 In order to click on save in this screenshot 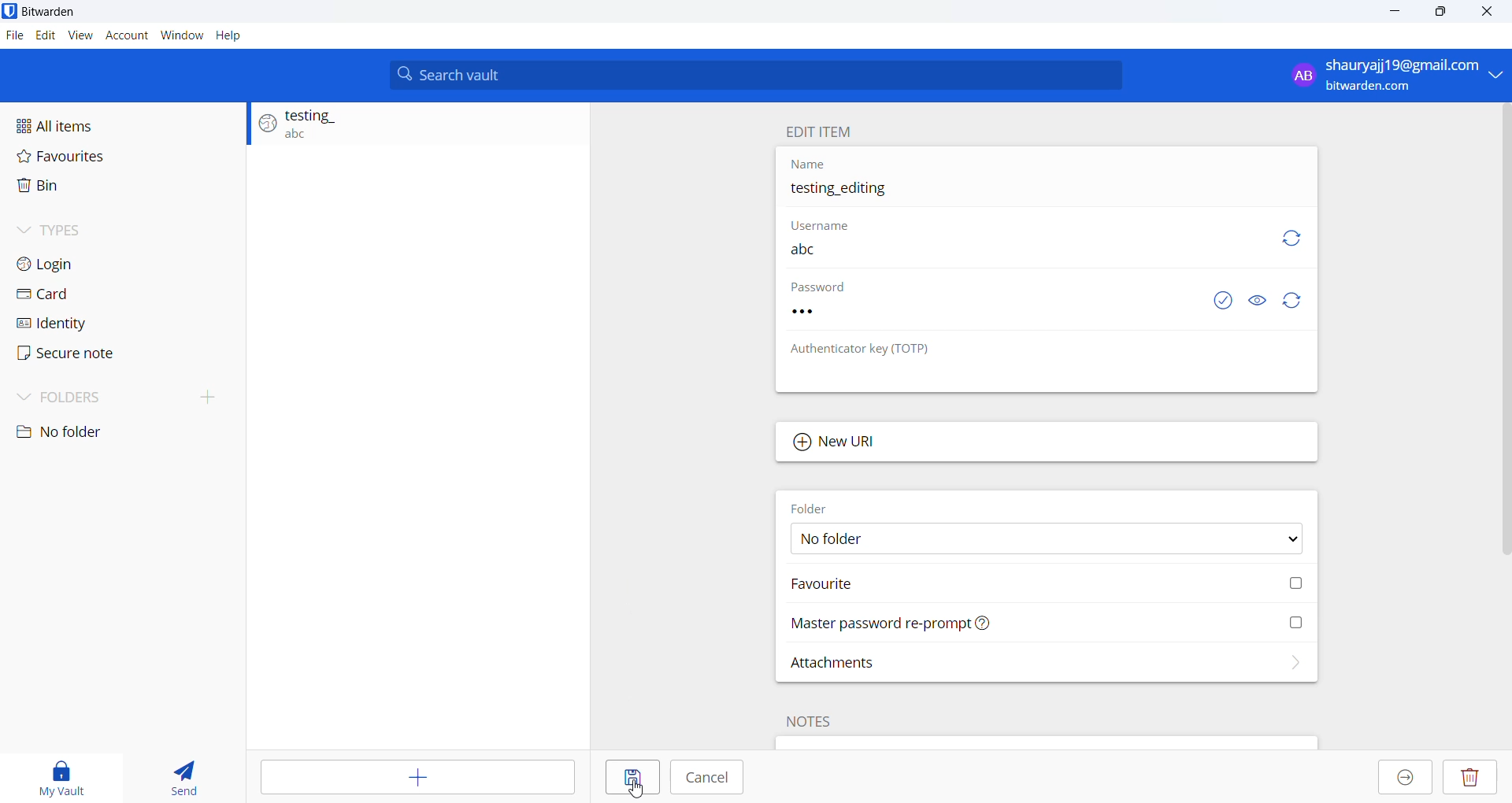, I will do `click(629, 779)`.